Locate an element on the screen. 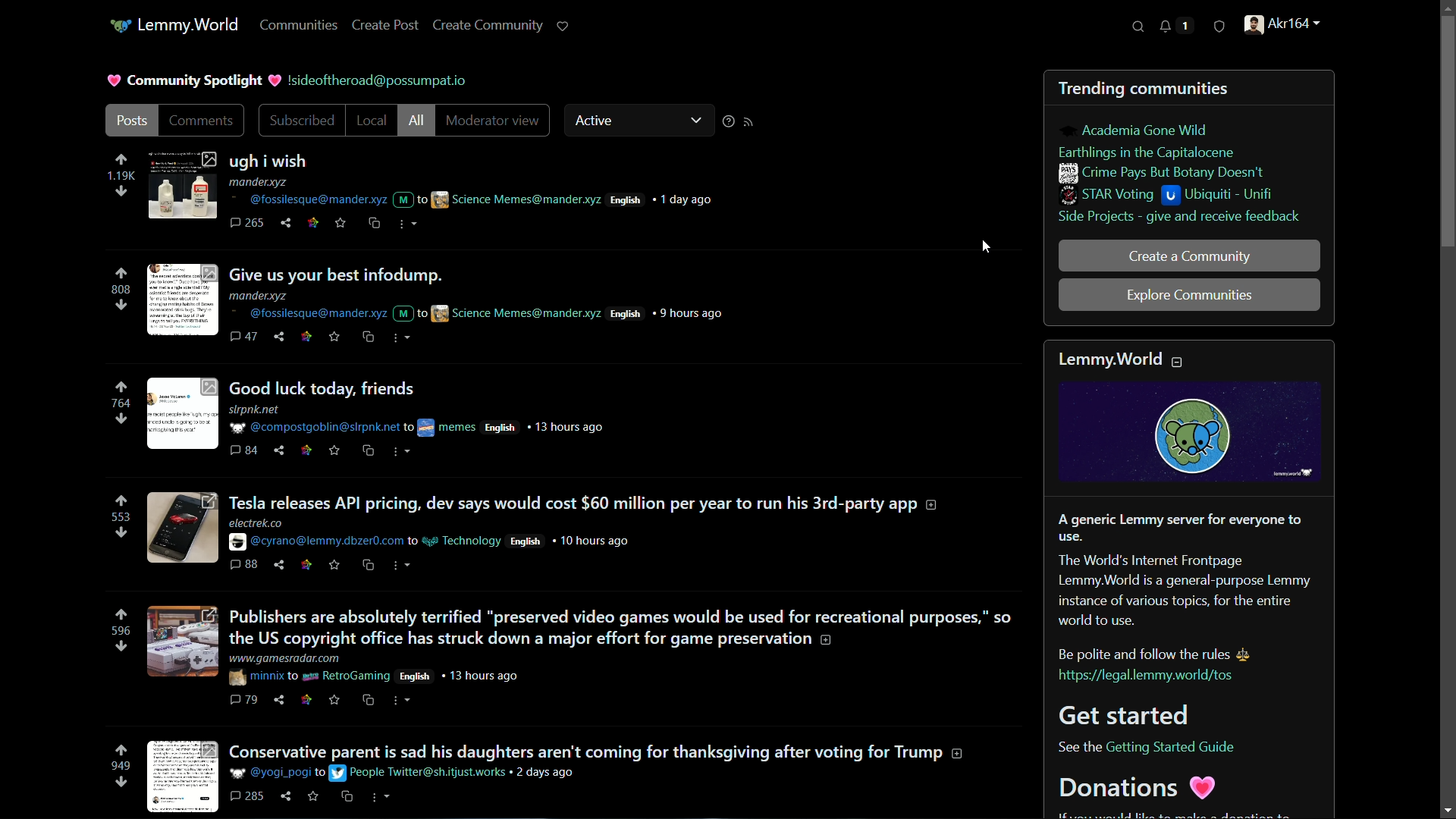 Image resolution: width=1456 pixels, height=819 pixels. upvote is located at coordinates (121, 752).